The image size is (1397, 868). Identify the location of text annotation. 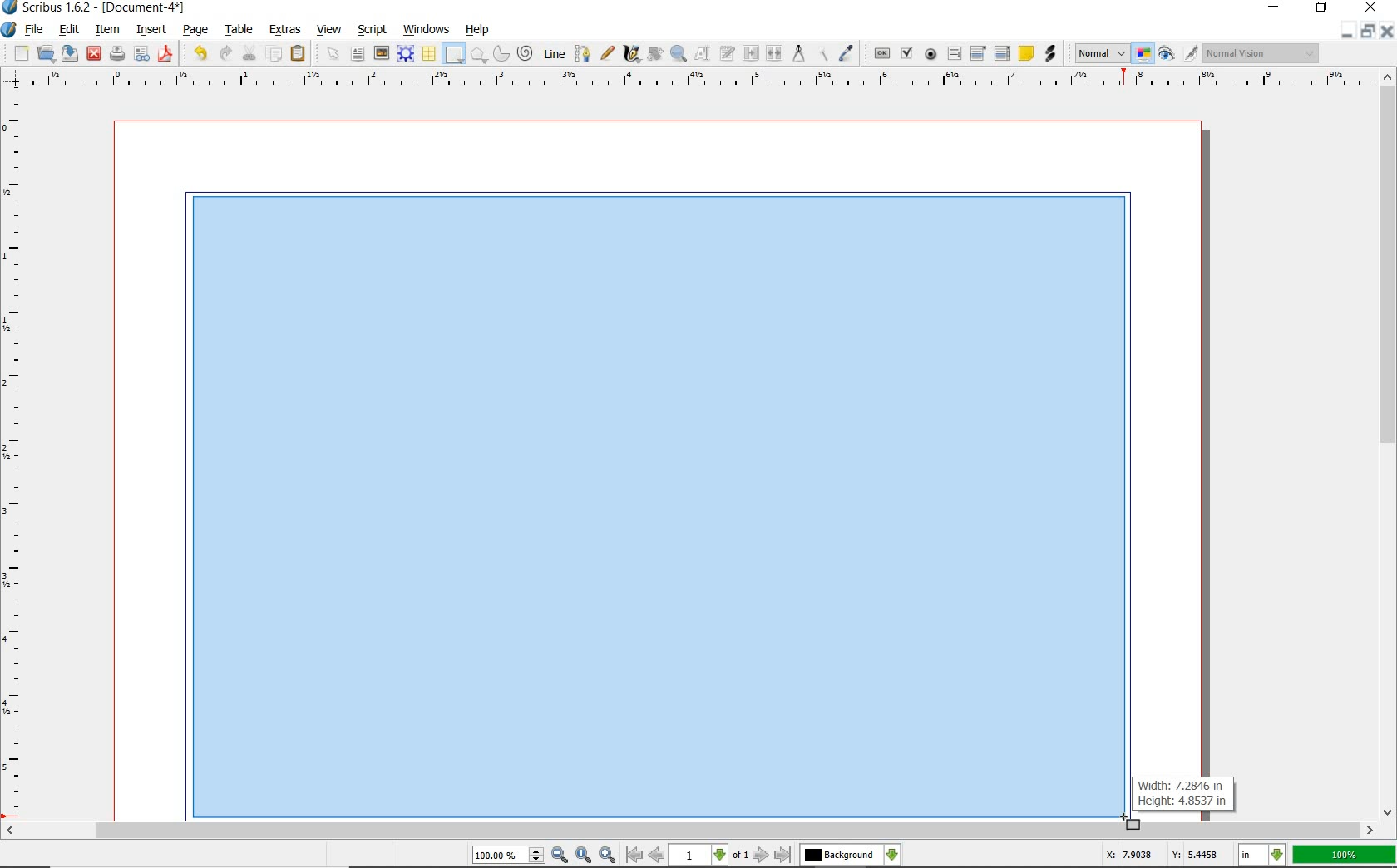
(1026, 53).